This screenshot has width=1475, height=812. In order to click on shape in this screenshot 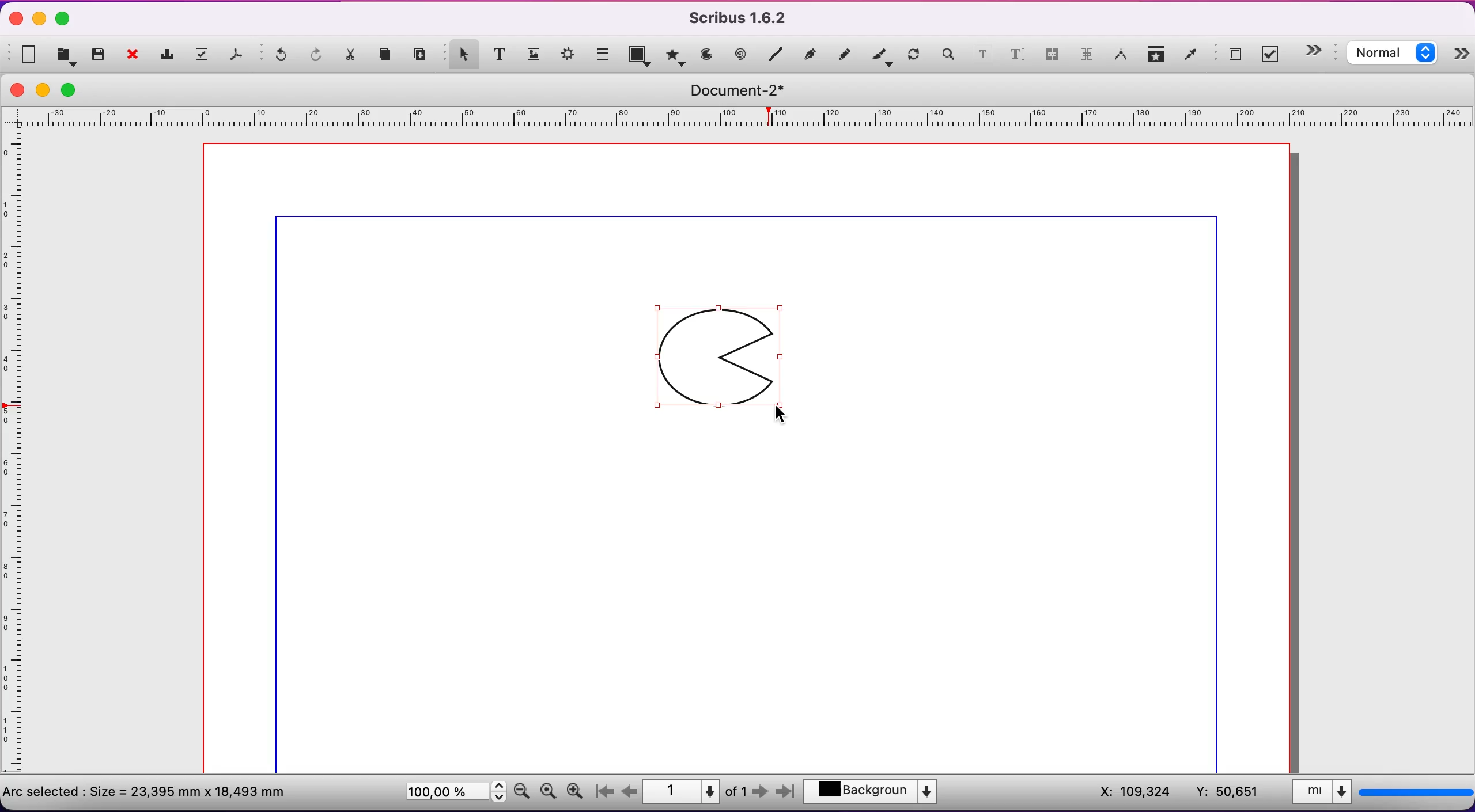, I will do `click(724, 358)`.